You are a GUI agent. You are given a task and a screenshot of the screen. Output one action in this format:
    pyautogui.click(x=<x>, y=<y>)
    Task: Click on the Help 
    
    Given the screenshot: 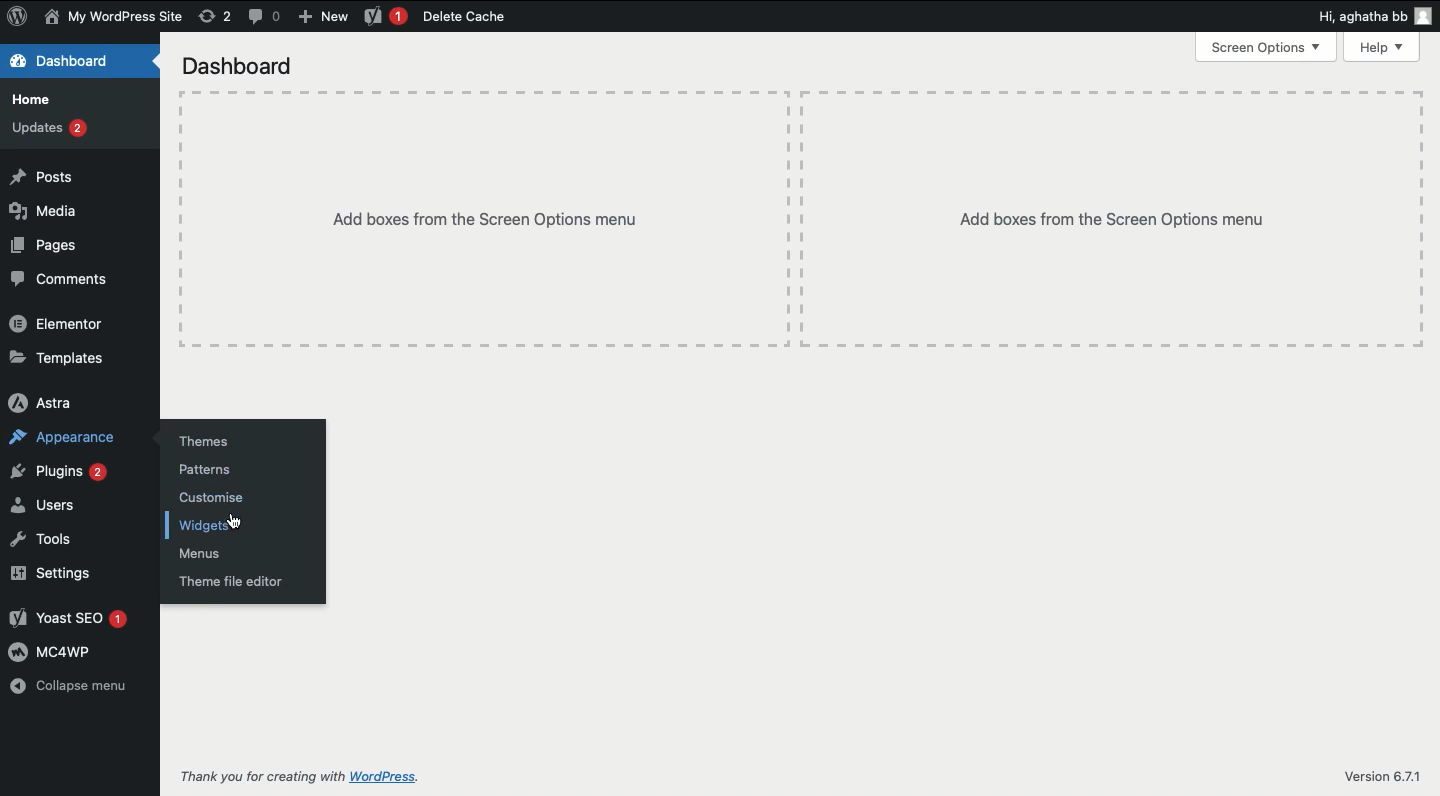 What is the action you would take?
    pyautogui.click(x=1377, y=47)
    